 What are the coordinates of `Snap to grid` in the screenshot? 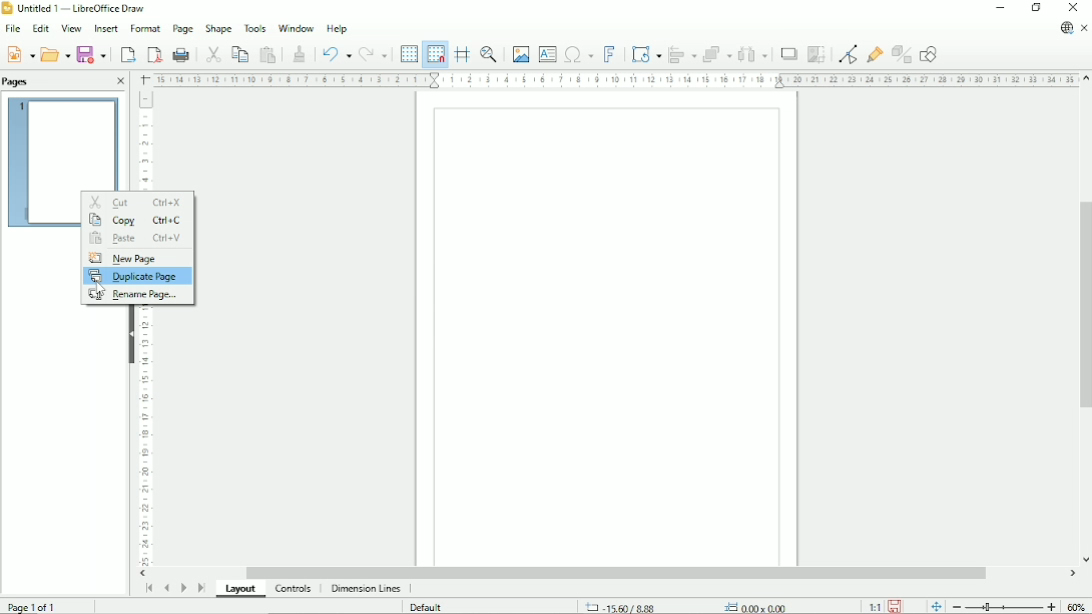 It's located at (434, 54).